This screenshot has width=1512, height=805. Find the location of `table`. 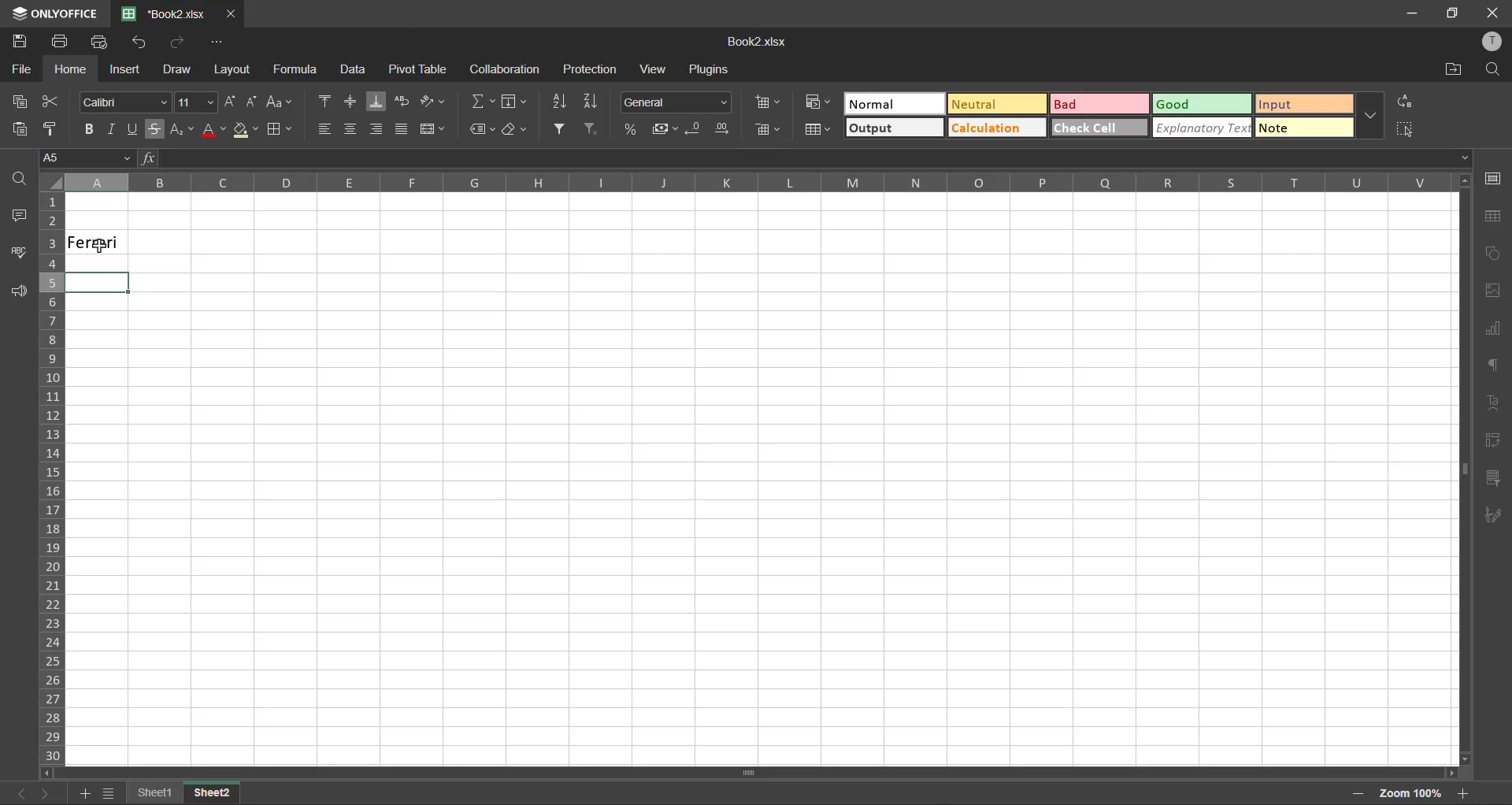

table is located at coordinates (1495, 221).